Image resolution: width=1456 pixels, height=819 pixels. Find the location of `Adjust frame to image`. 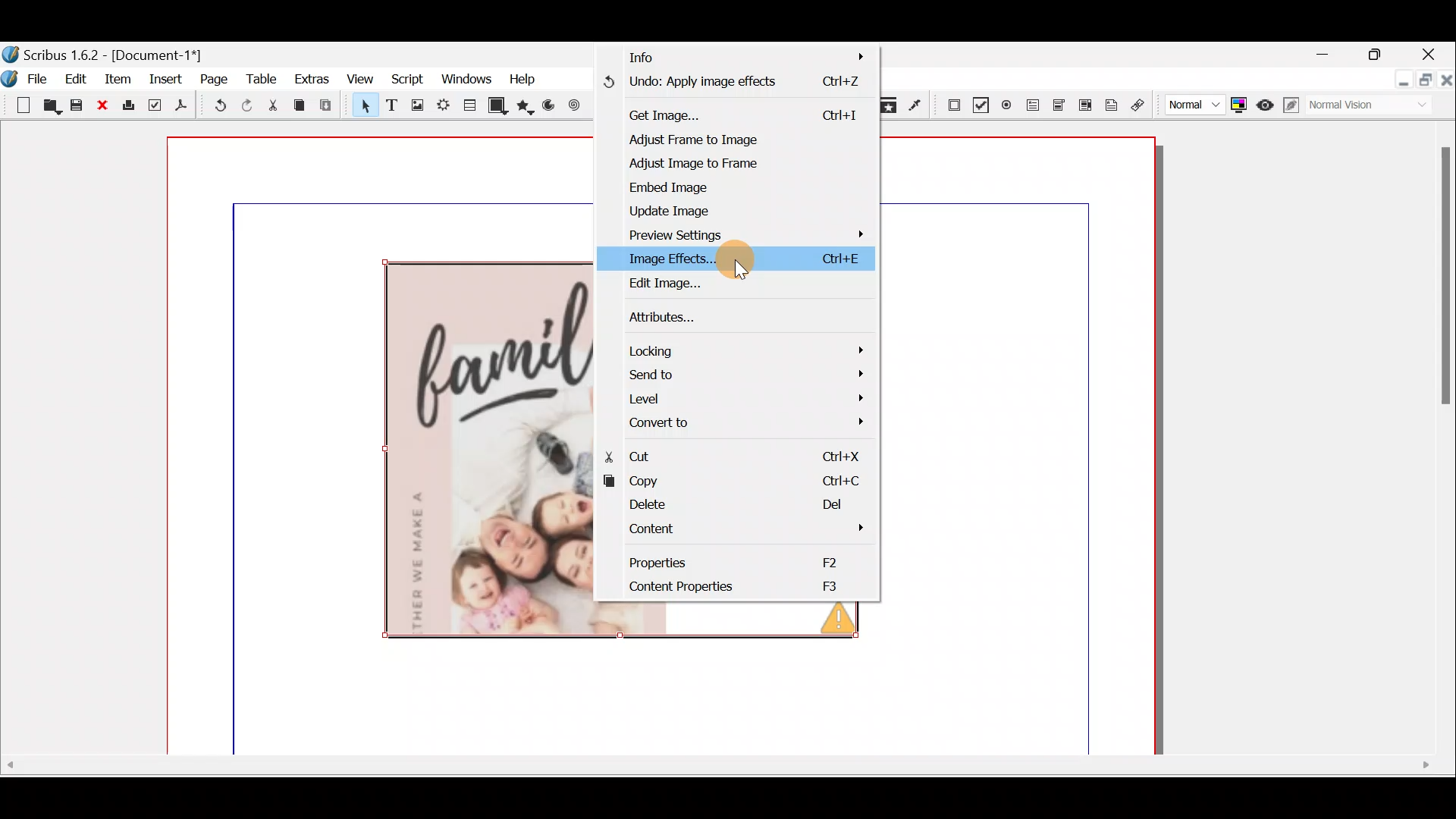

Adjust frame to image is located at coordinates (721, 137).